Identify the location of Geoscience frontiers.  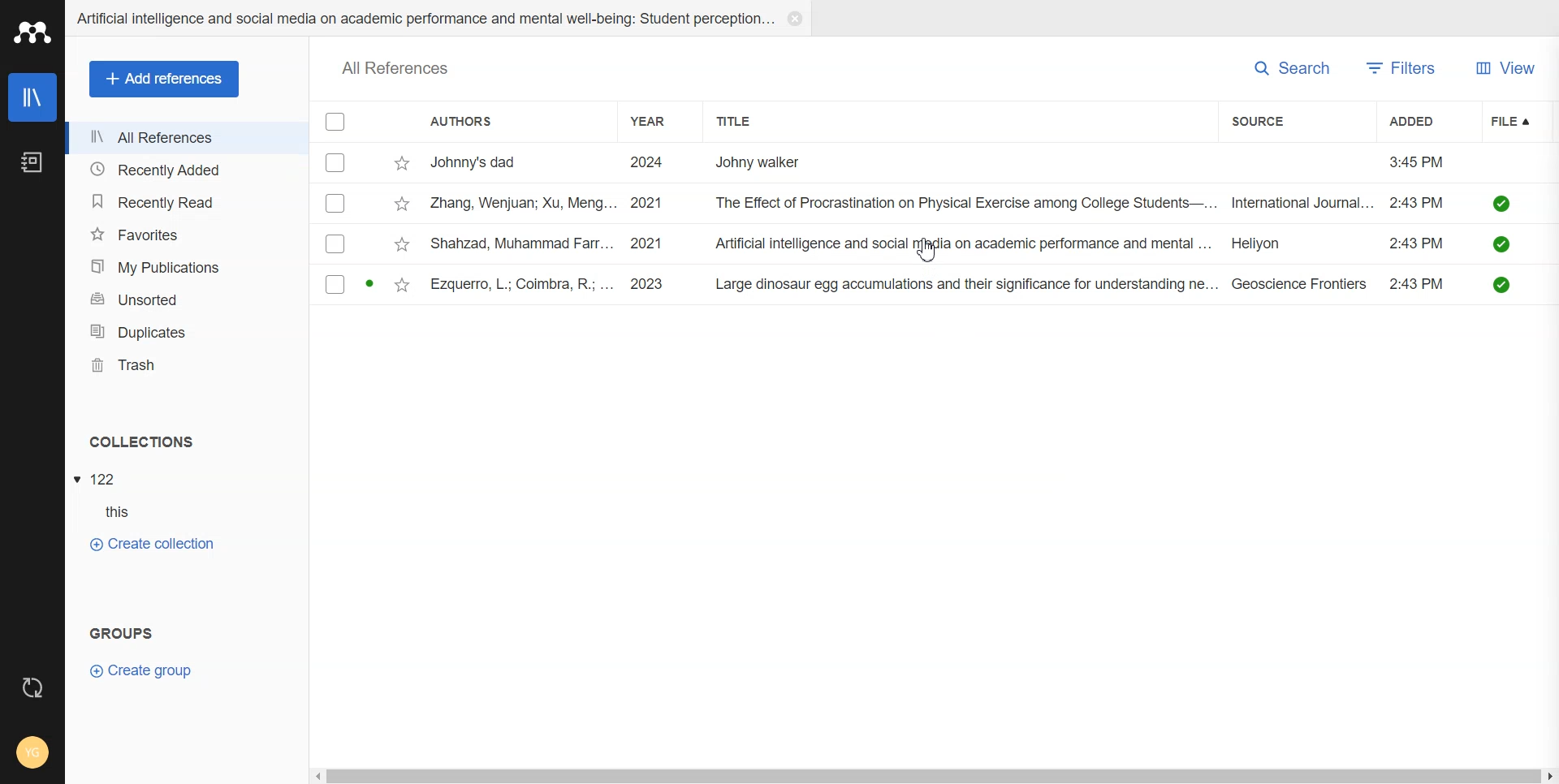
(1304, 287).